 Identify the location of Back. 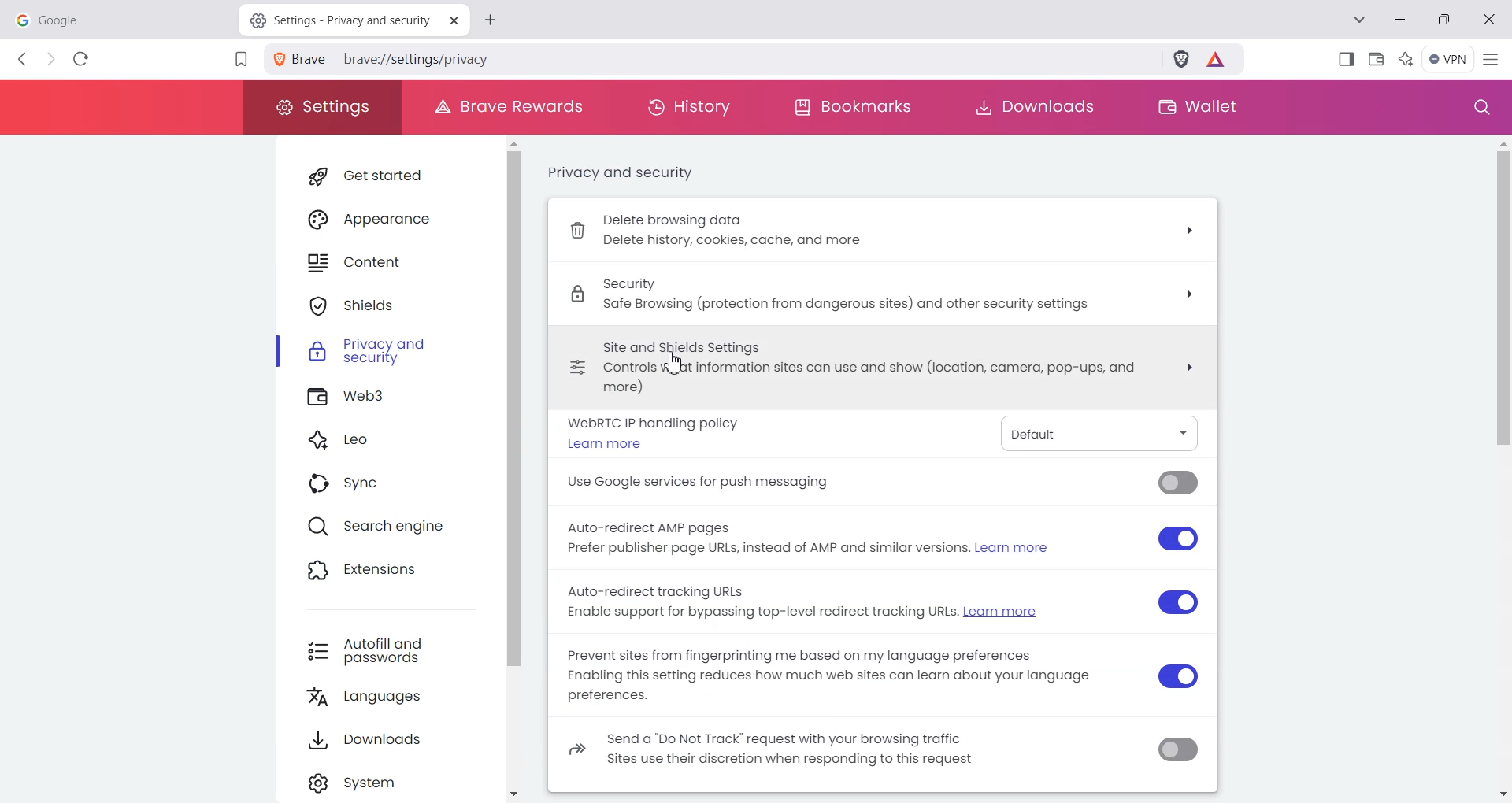
(24, 59).